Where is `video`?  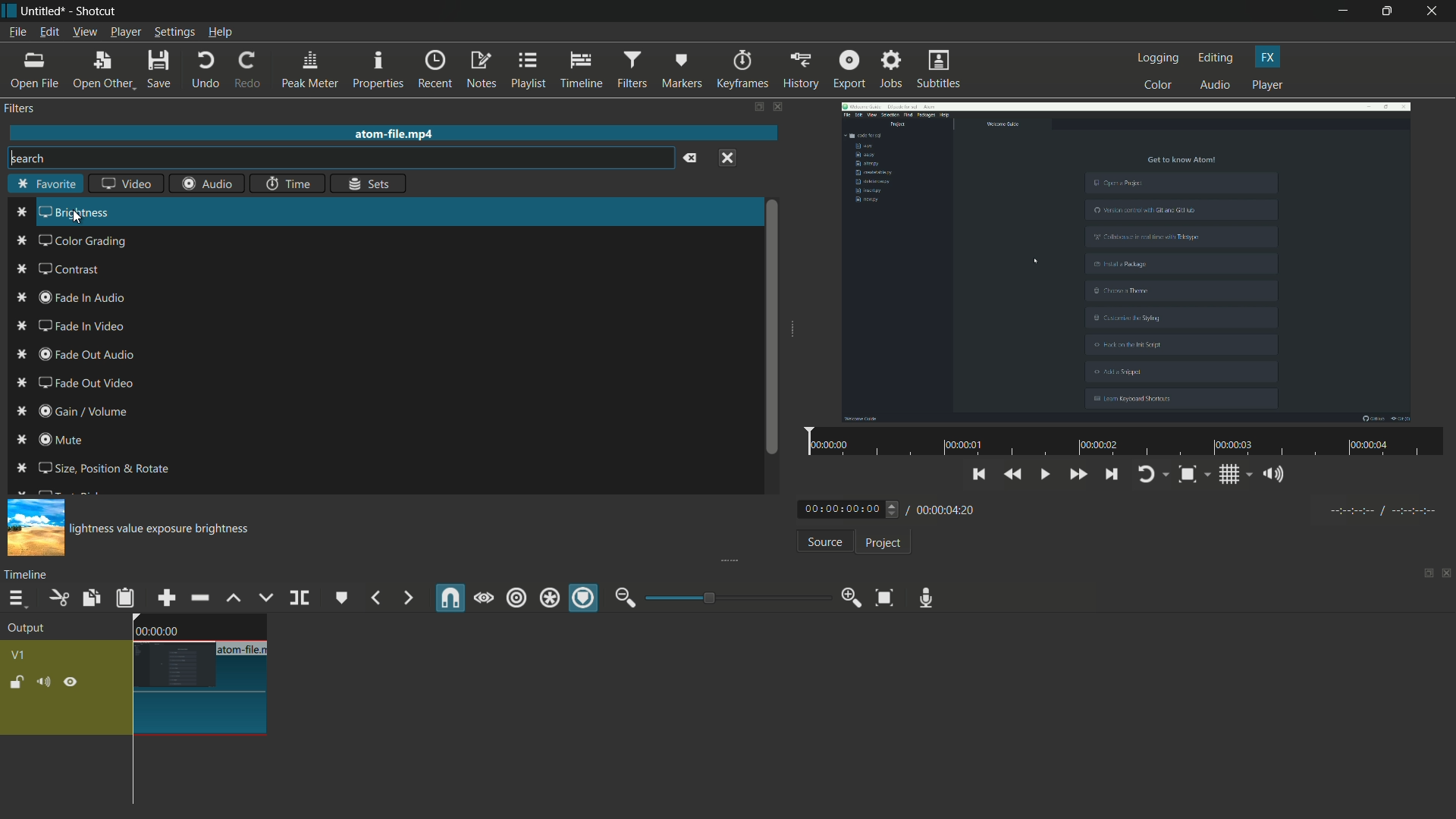 video is located at coordinates (125, 185).